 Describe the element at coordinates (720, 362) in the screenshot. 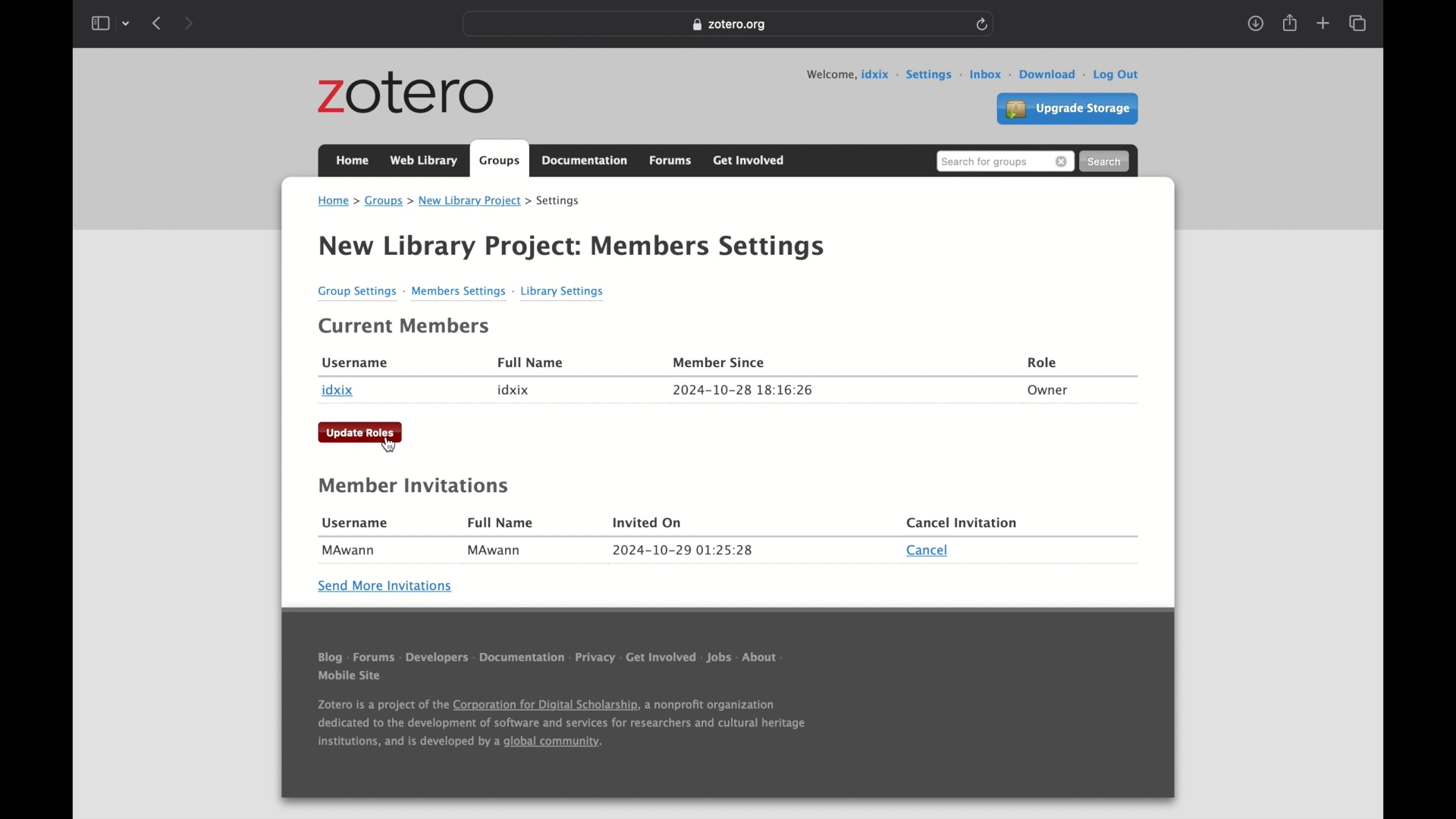

I see `member since` at that location.